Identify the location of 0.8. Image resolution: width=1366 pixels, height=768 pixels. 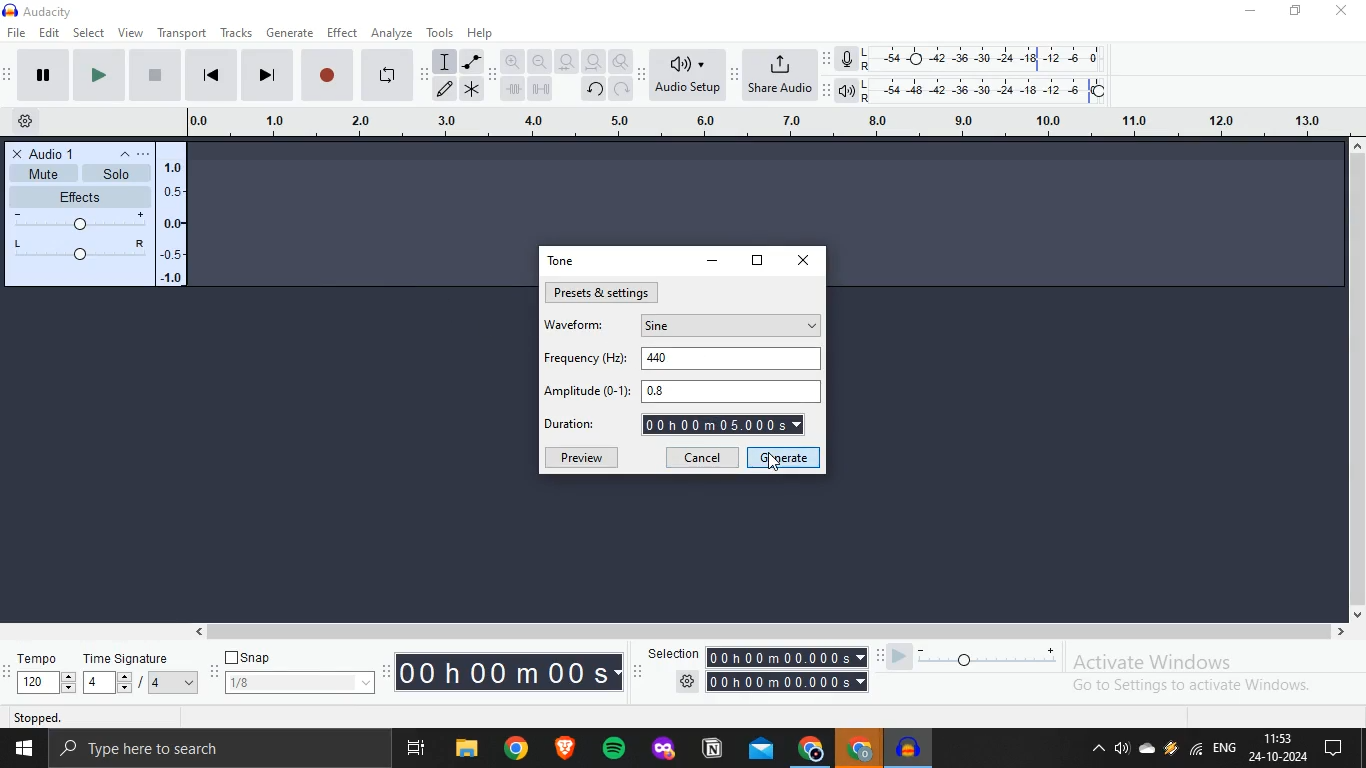
(730, 391).